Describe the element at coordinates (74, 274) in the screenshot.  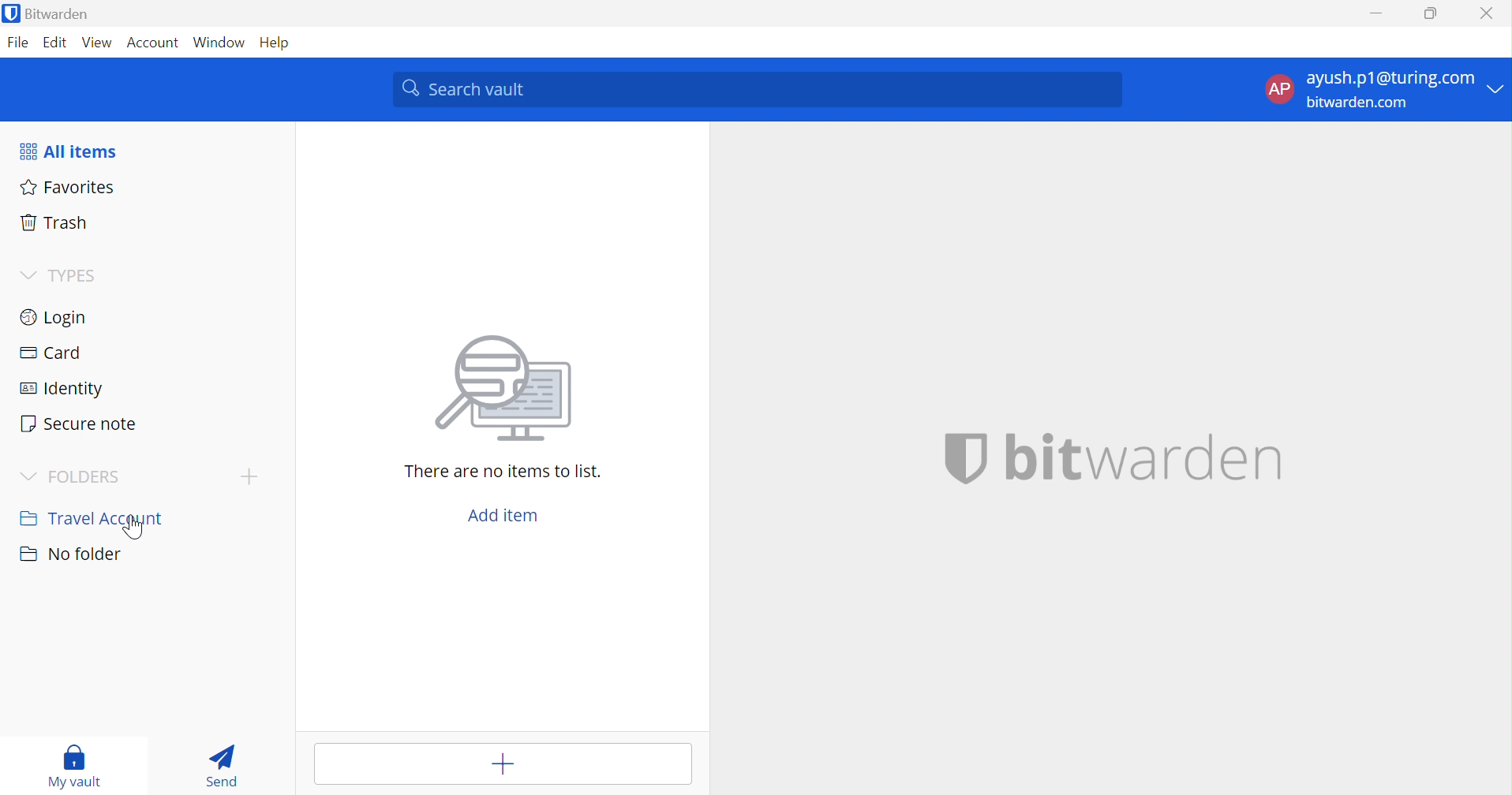
I see `TYPES` at that location.